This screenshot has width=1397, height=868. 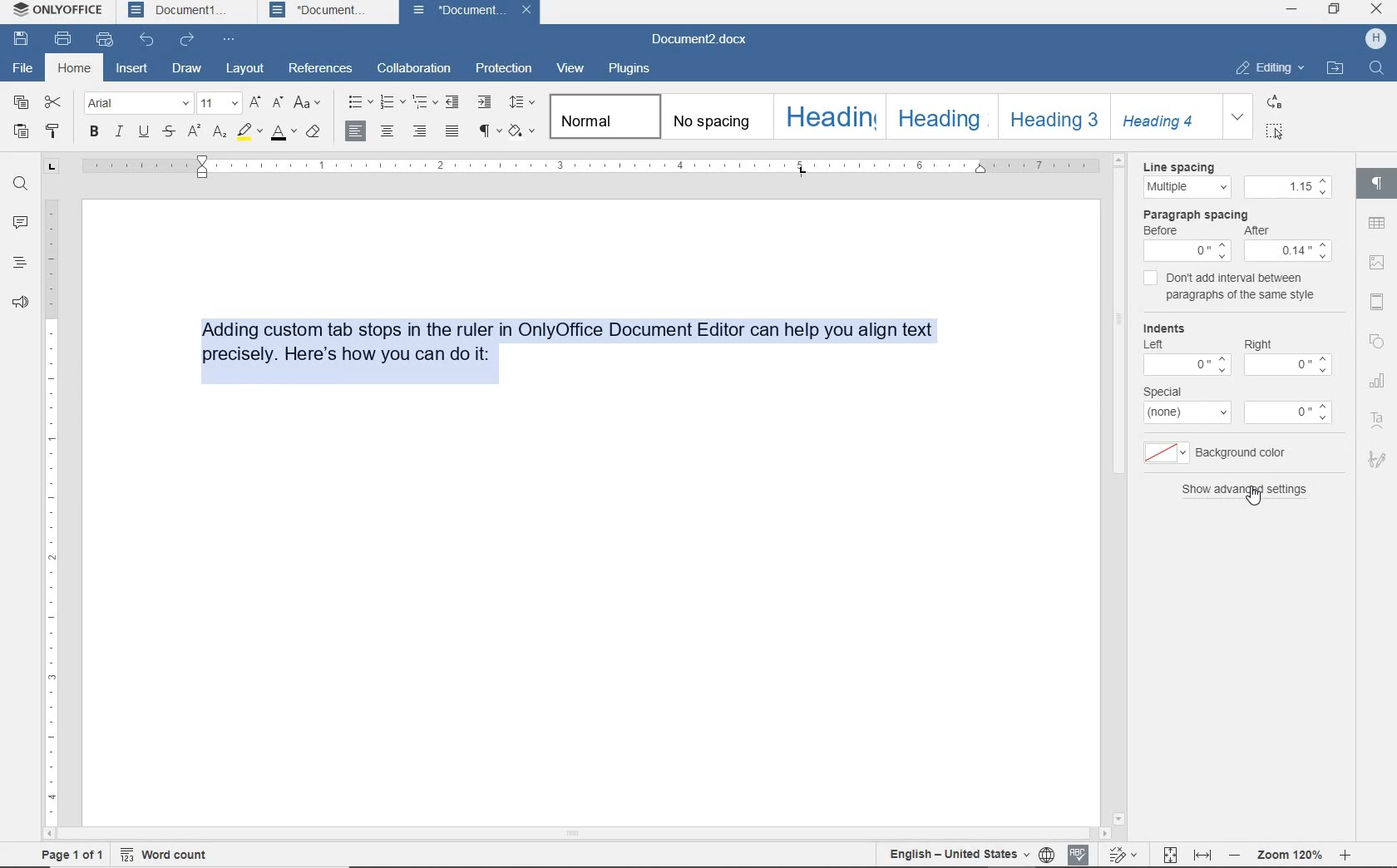 What do you see at coordinates (1181, 165) in the screenshot?
I see `Line spacing` at bounding box center [1181, 165].